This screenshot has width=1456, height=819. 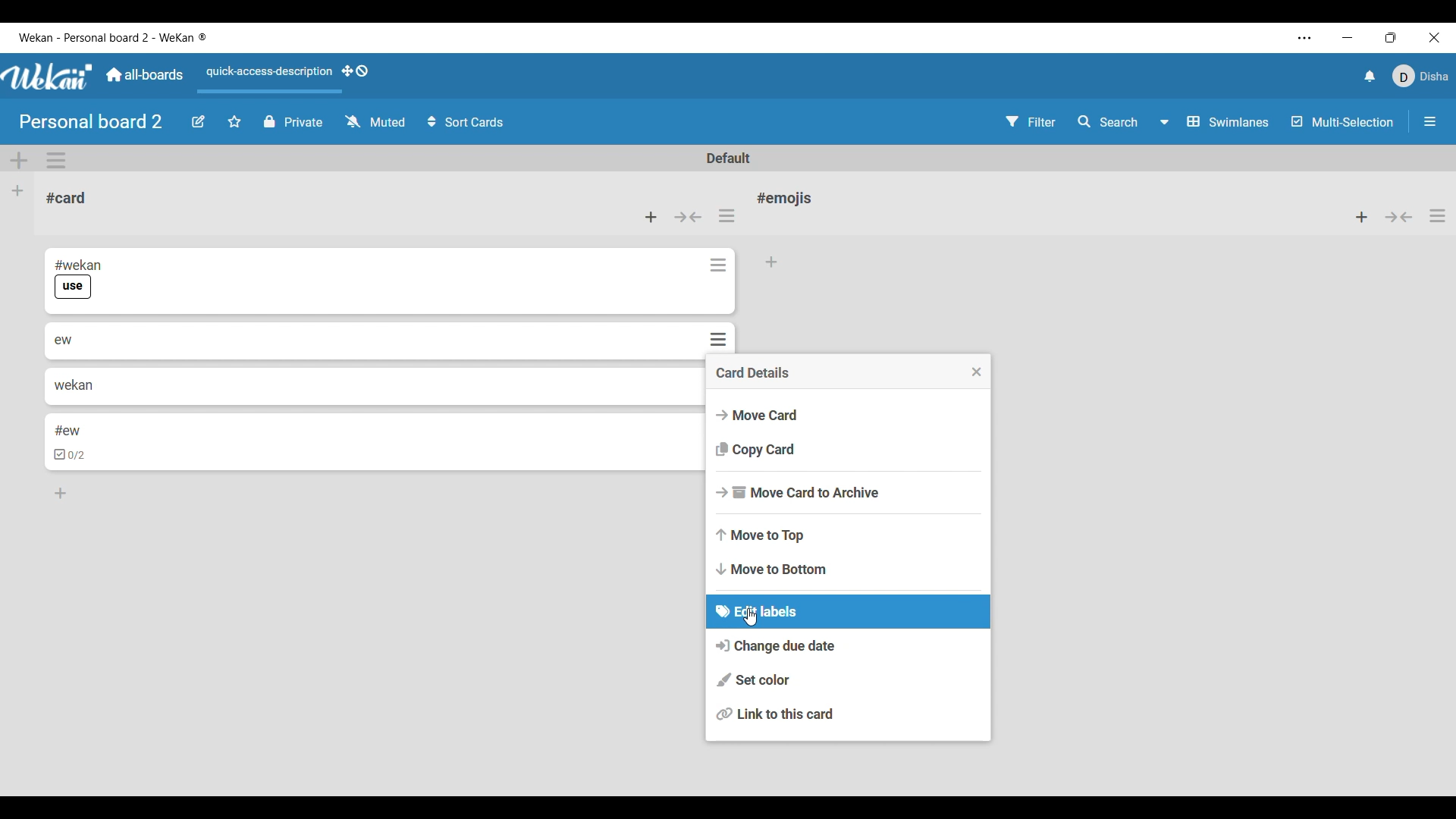 What do you see at coordinates (837, 372) in the screenshot?
I see `Card details` at bounding box center [837, 372].